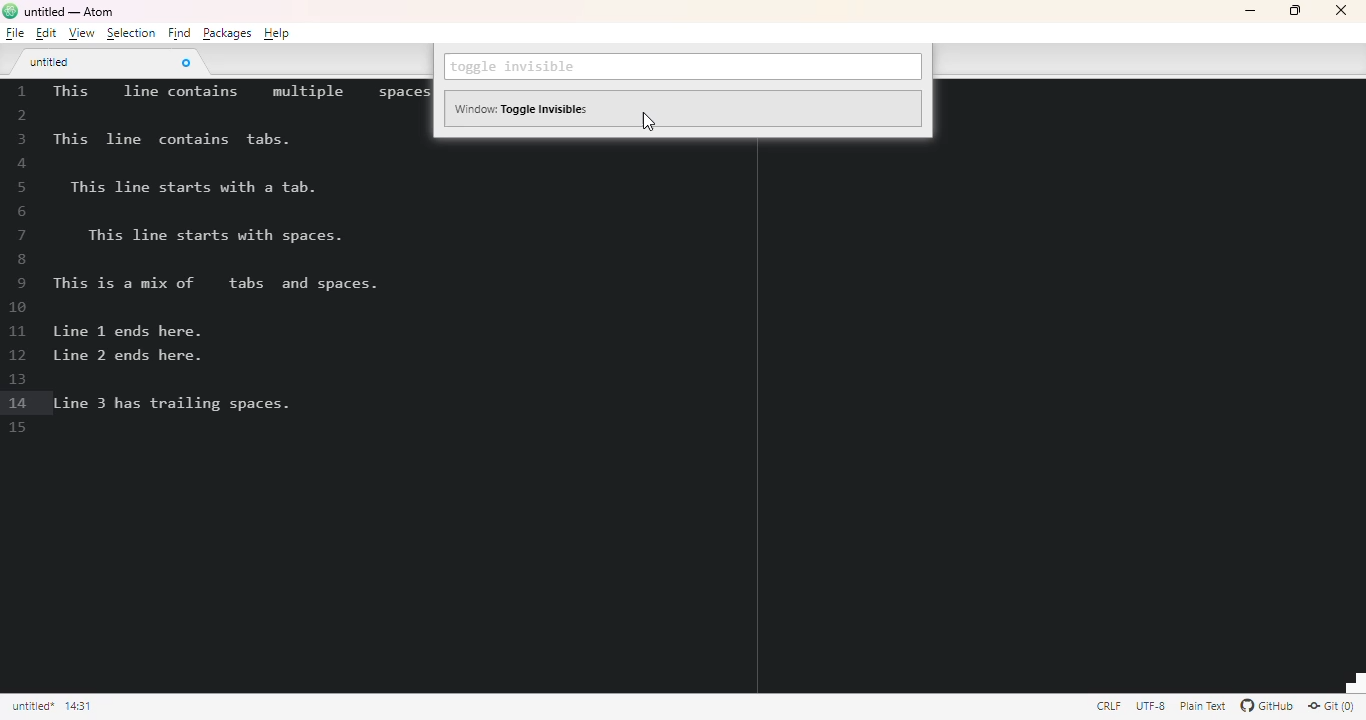 The height and width of the screenshot is (720, 1366). I want to click on close tab, so click(185, 62).